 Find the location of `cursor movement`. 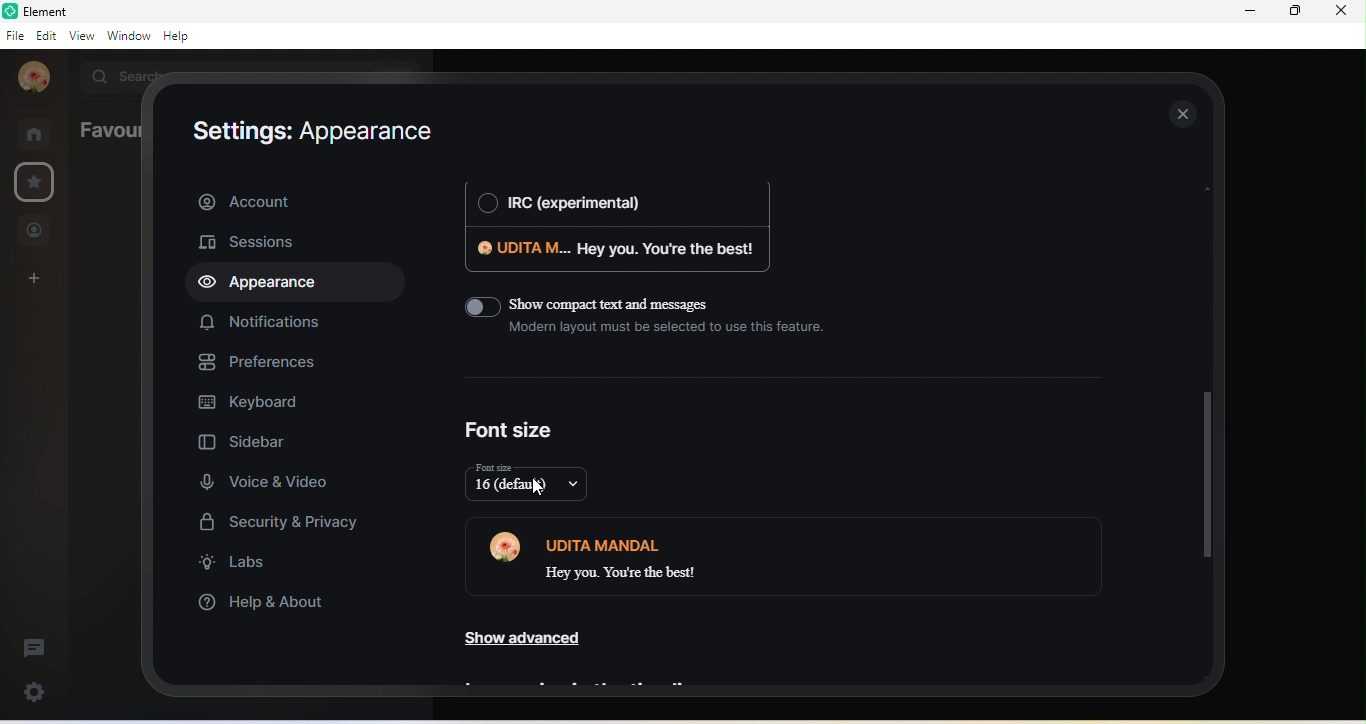

cursor movement is located at coordinates (538, 487).